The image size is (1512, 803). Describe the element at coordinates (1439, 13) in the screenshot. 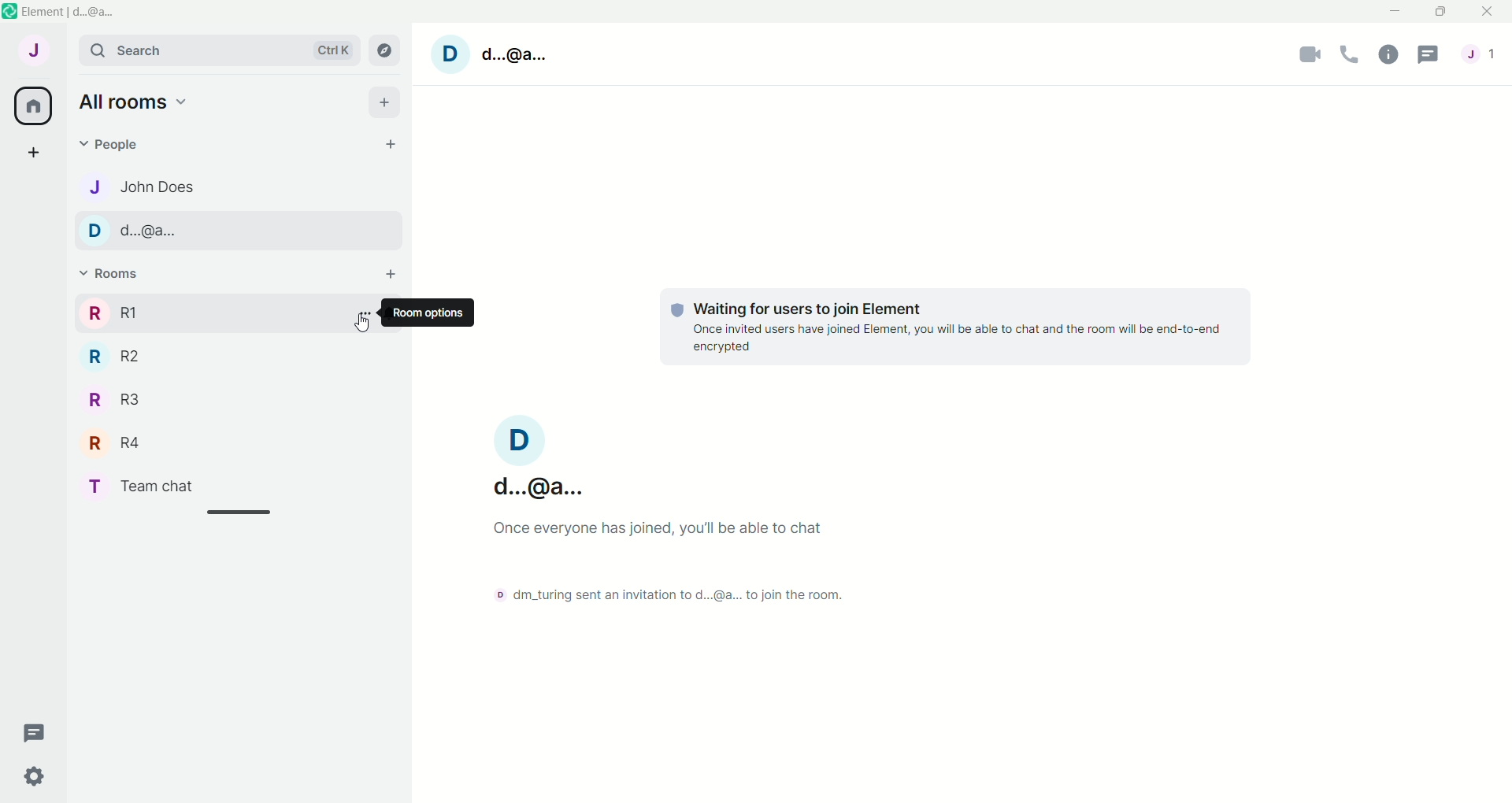

I see `maximize` at that location.